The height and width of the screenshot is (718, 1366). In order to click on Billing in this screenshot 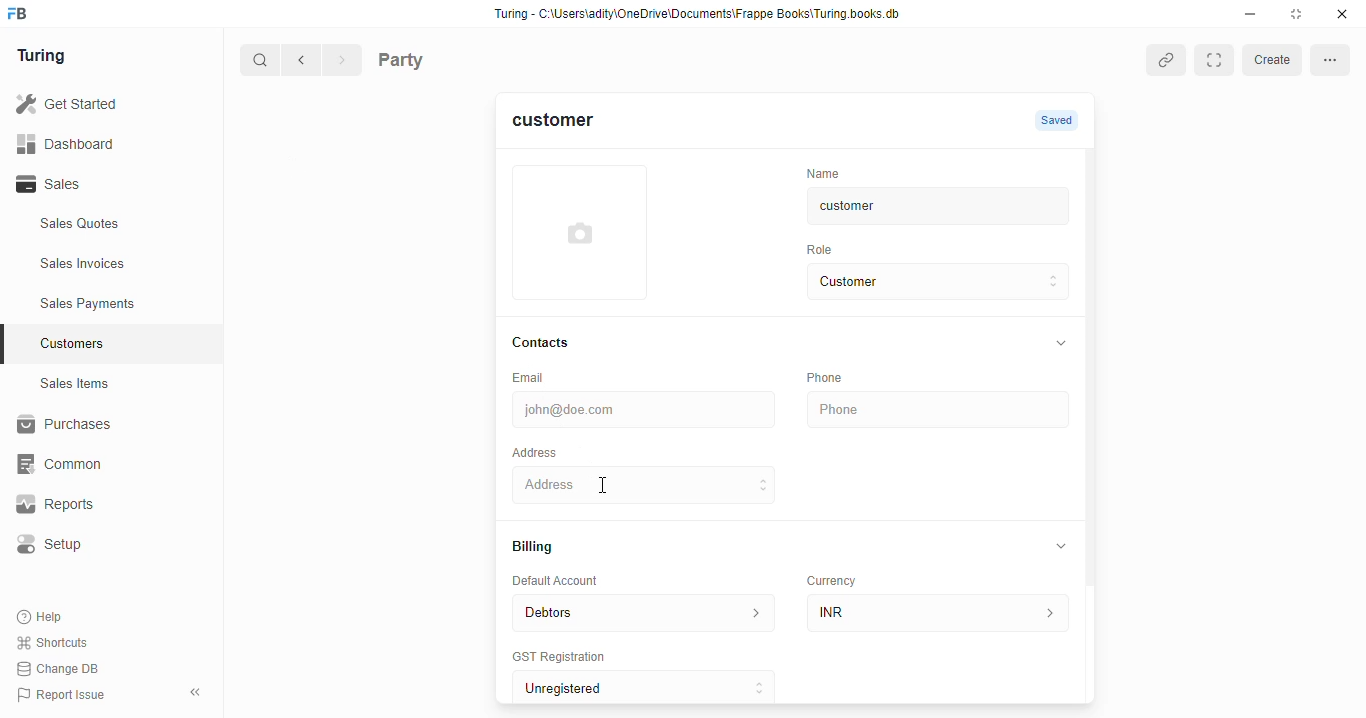, I will do `click(534, 547)`.